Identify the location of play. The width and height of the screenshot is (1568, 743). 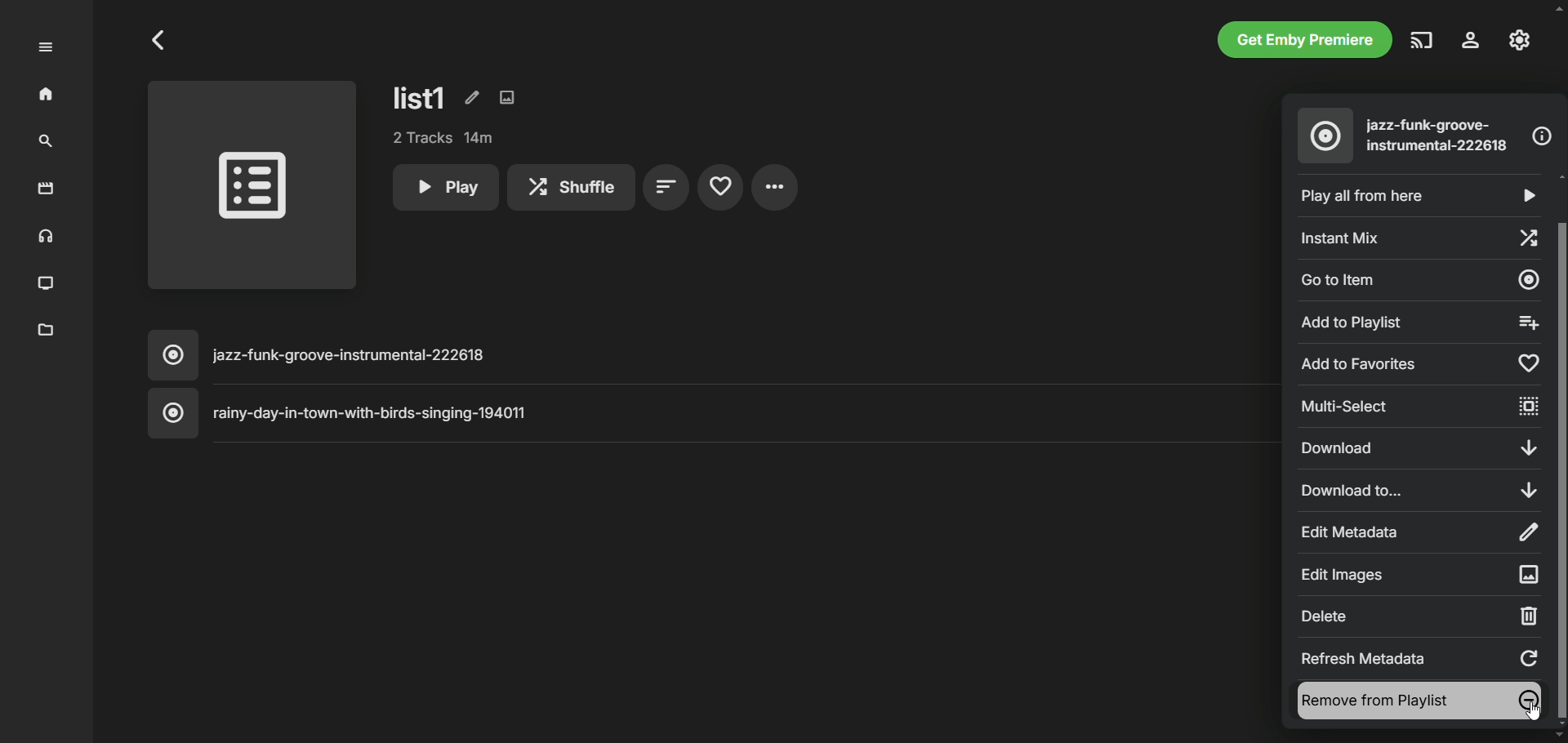
(444, 187).